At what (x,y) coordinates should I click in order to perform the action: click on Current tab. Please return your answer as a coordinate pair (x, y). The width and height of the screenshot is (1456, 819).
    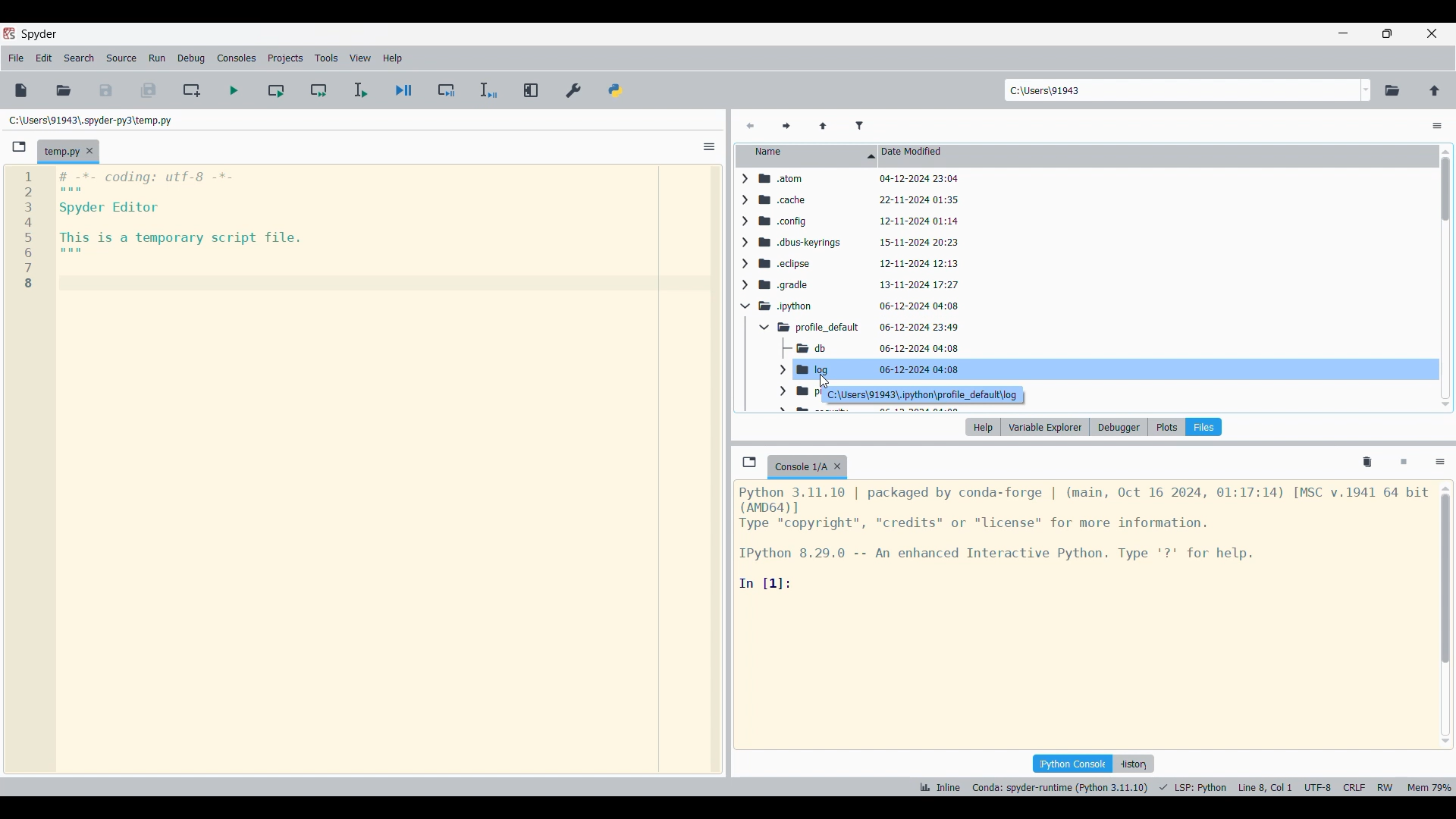
    Looking at the image, I should click on (60, 152).